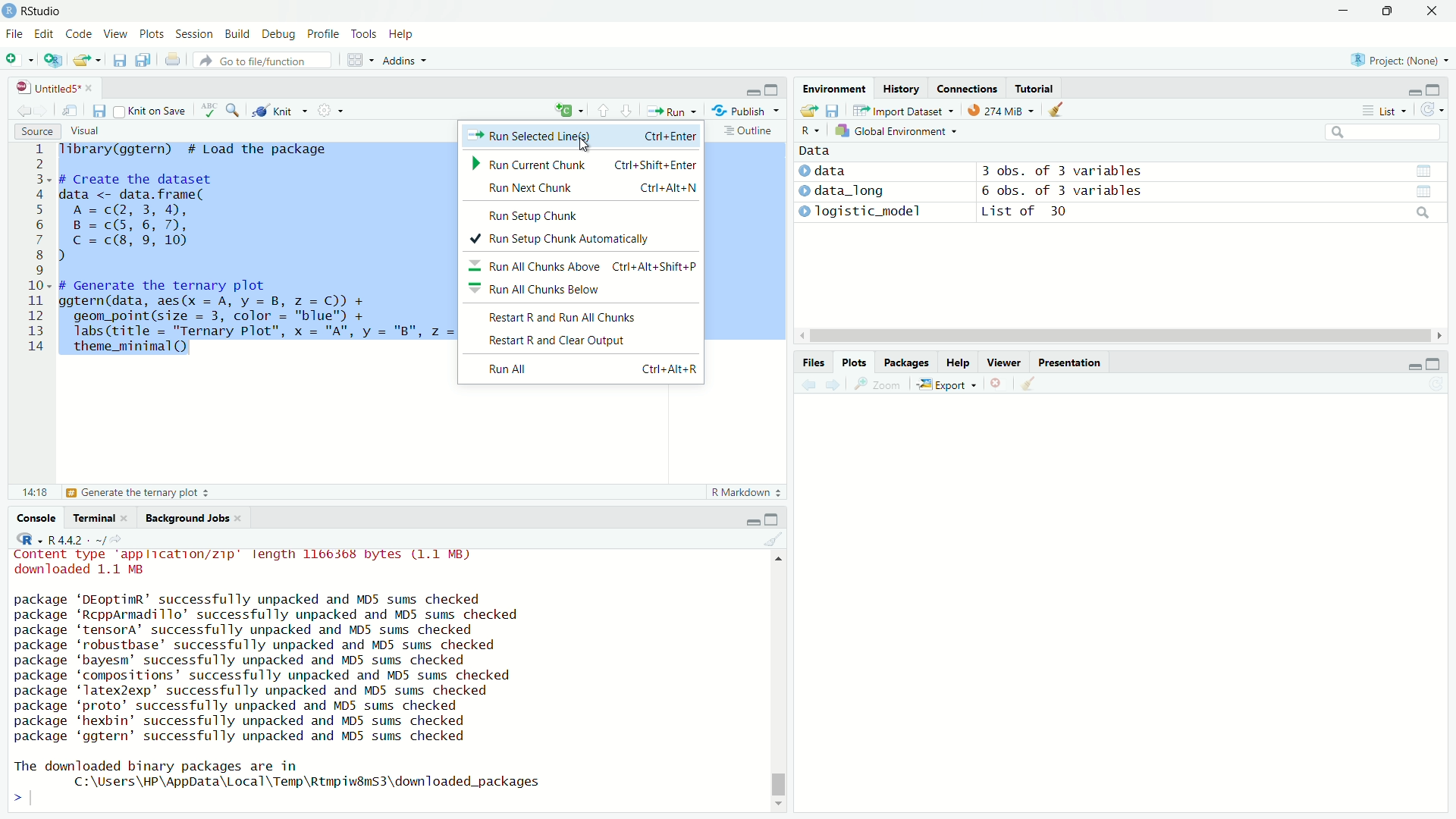 The image size is (1456, 819). What do you see at coordinates (402, 61) in the screenshot?
I see `Addins ~` at bounding box center [402, 61].